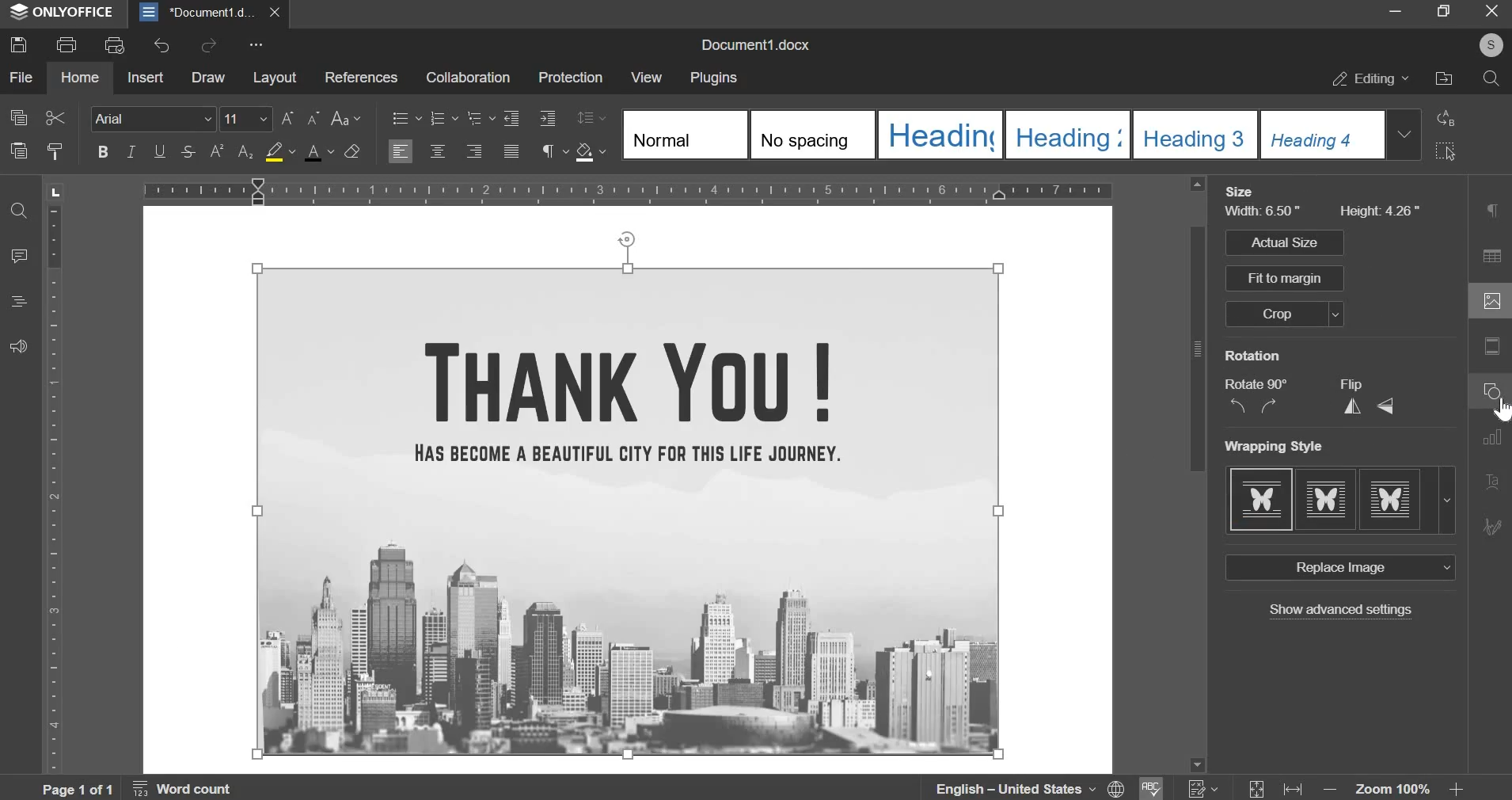 This screenshot has height=800, width=1512. I want to click on plugins, so click(713, 78).